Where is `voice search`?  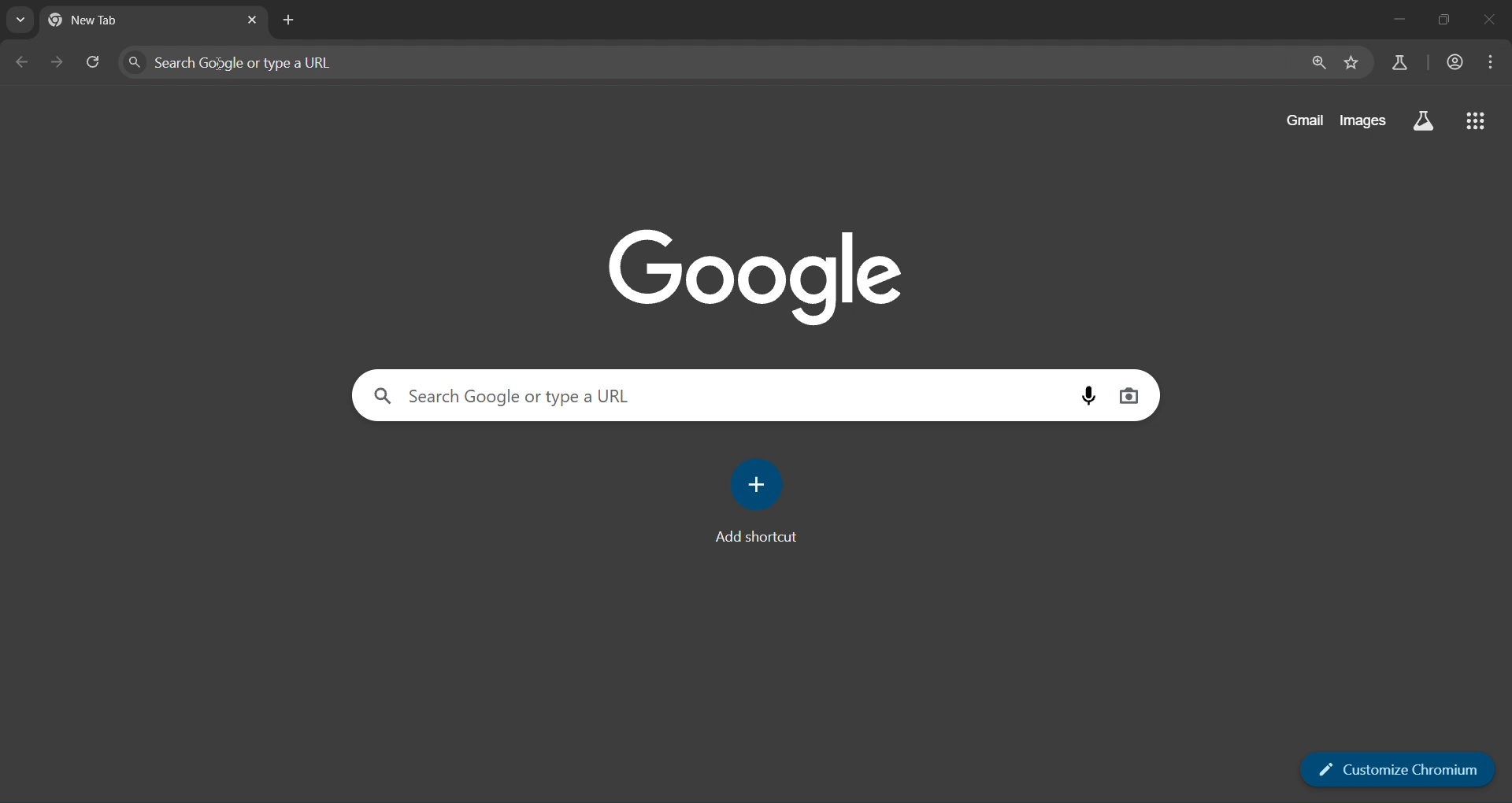
voice search is located at coordinates (1131, 397).